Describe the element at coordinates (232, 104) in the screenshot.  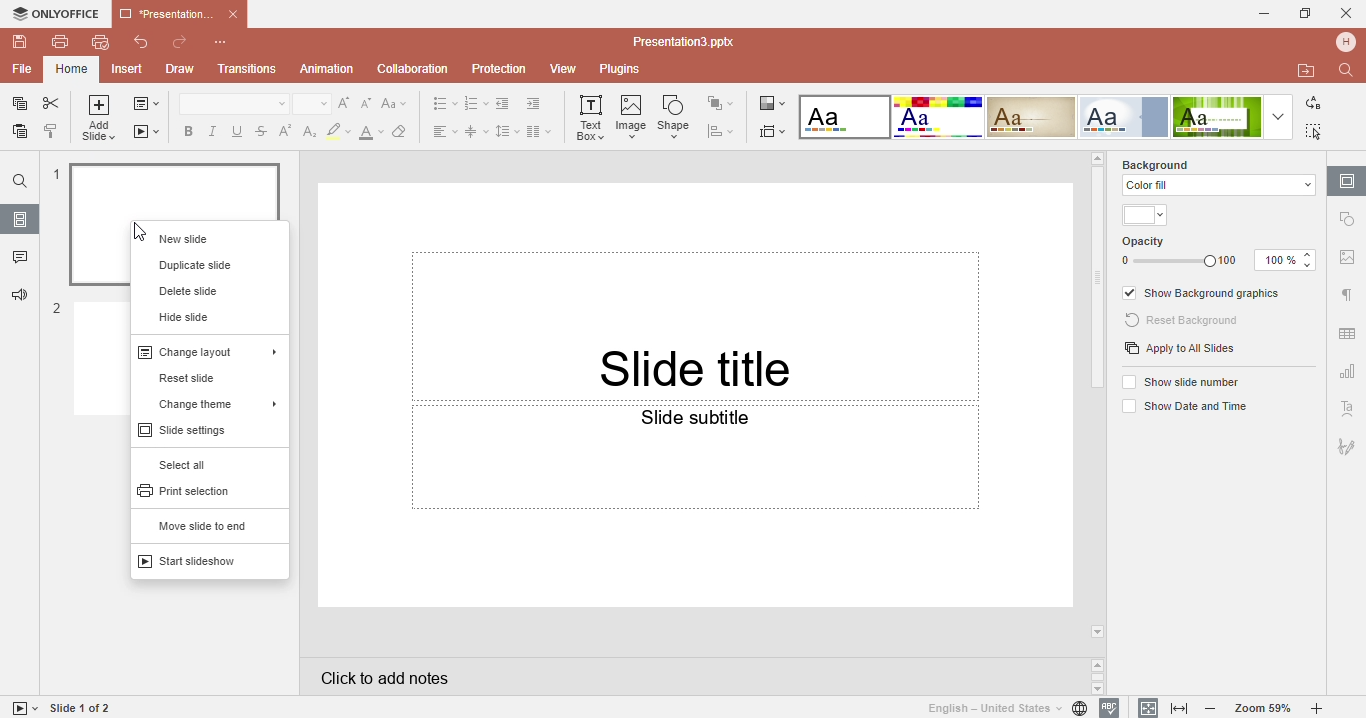
I see `Font` at that location.